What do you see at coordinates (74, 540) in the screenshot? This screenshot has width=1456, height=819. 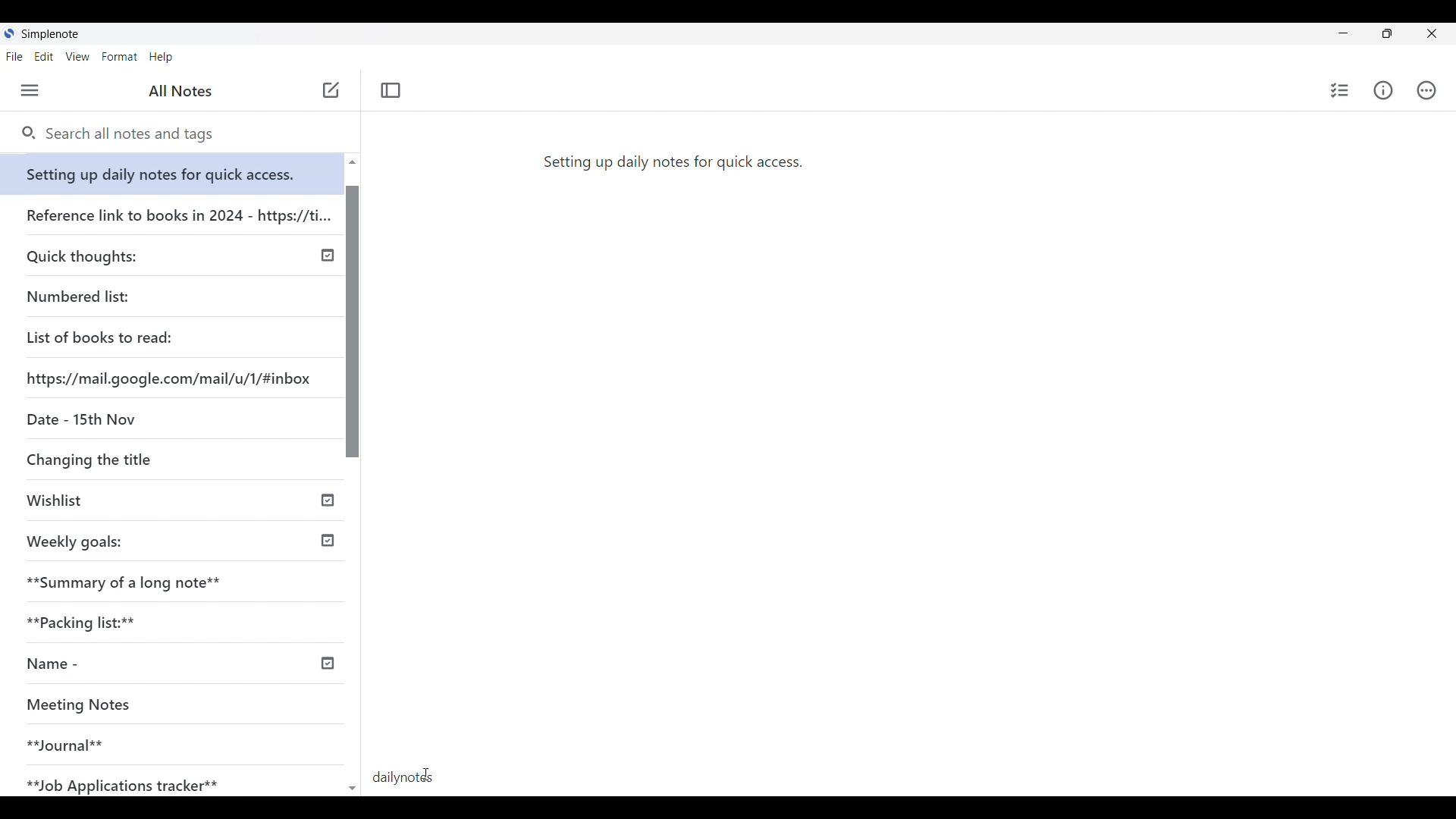 I see `Weekly goals` at bounding box center [74, 540].